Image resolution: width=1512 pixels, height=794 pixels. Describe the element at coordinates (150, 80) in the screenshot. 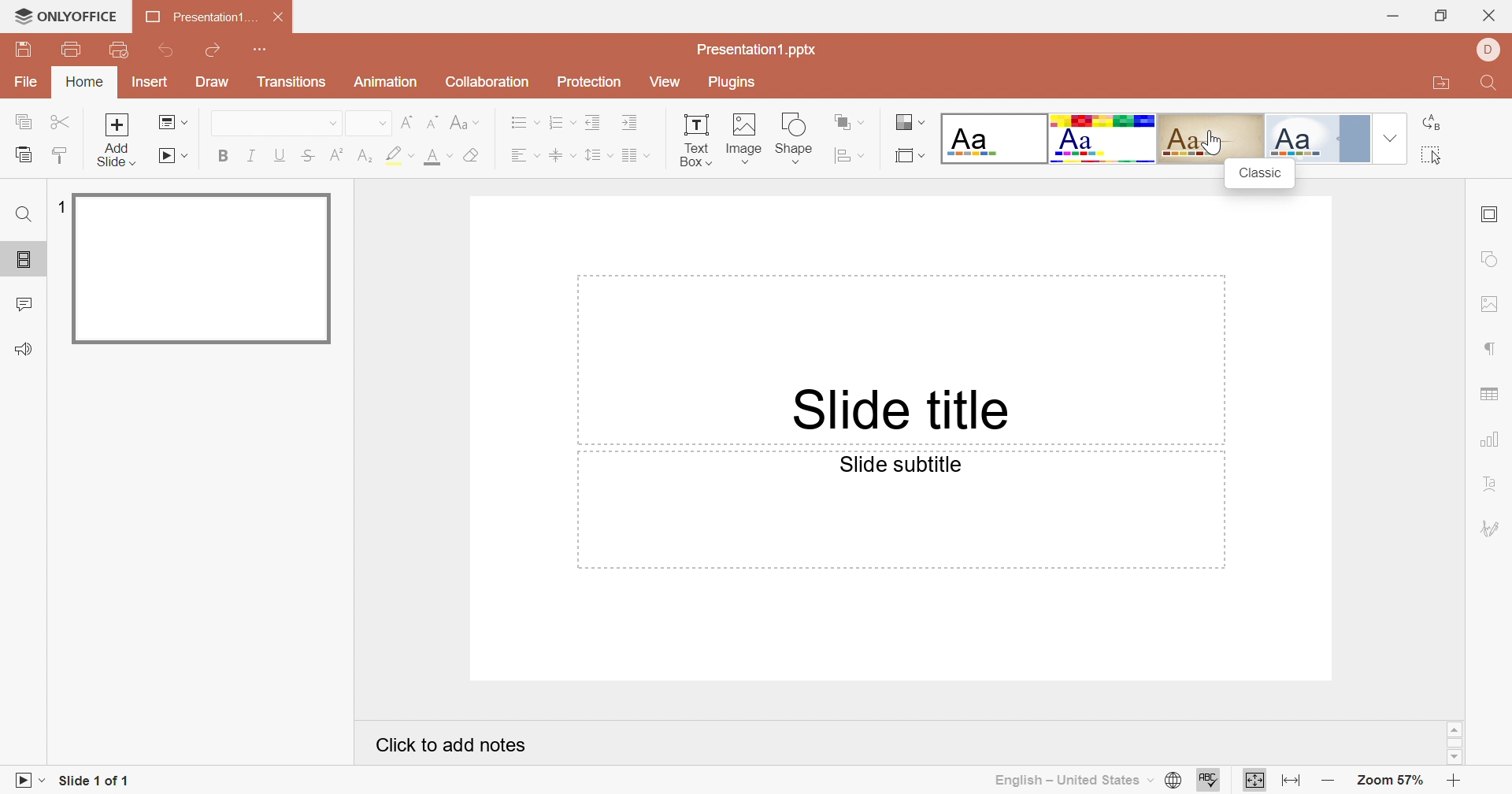

I see `Insert` at that location.